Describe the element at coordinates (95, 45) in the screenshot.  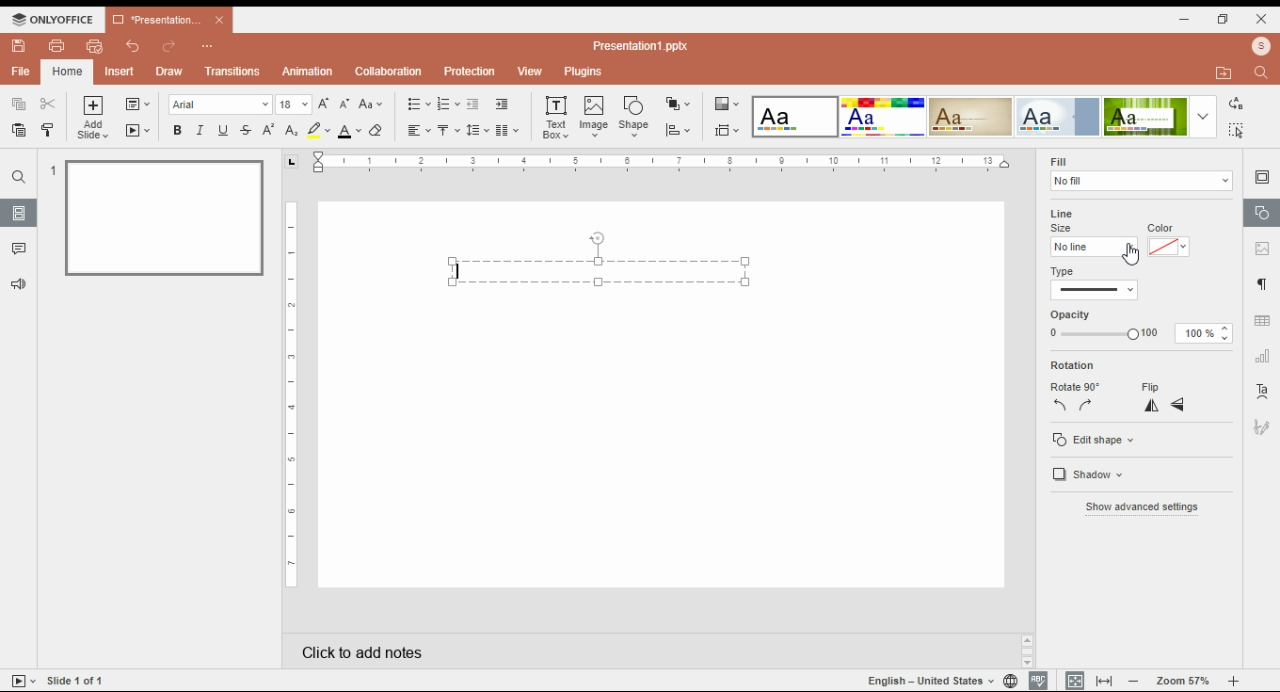
I see `quick print` at that location.